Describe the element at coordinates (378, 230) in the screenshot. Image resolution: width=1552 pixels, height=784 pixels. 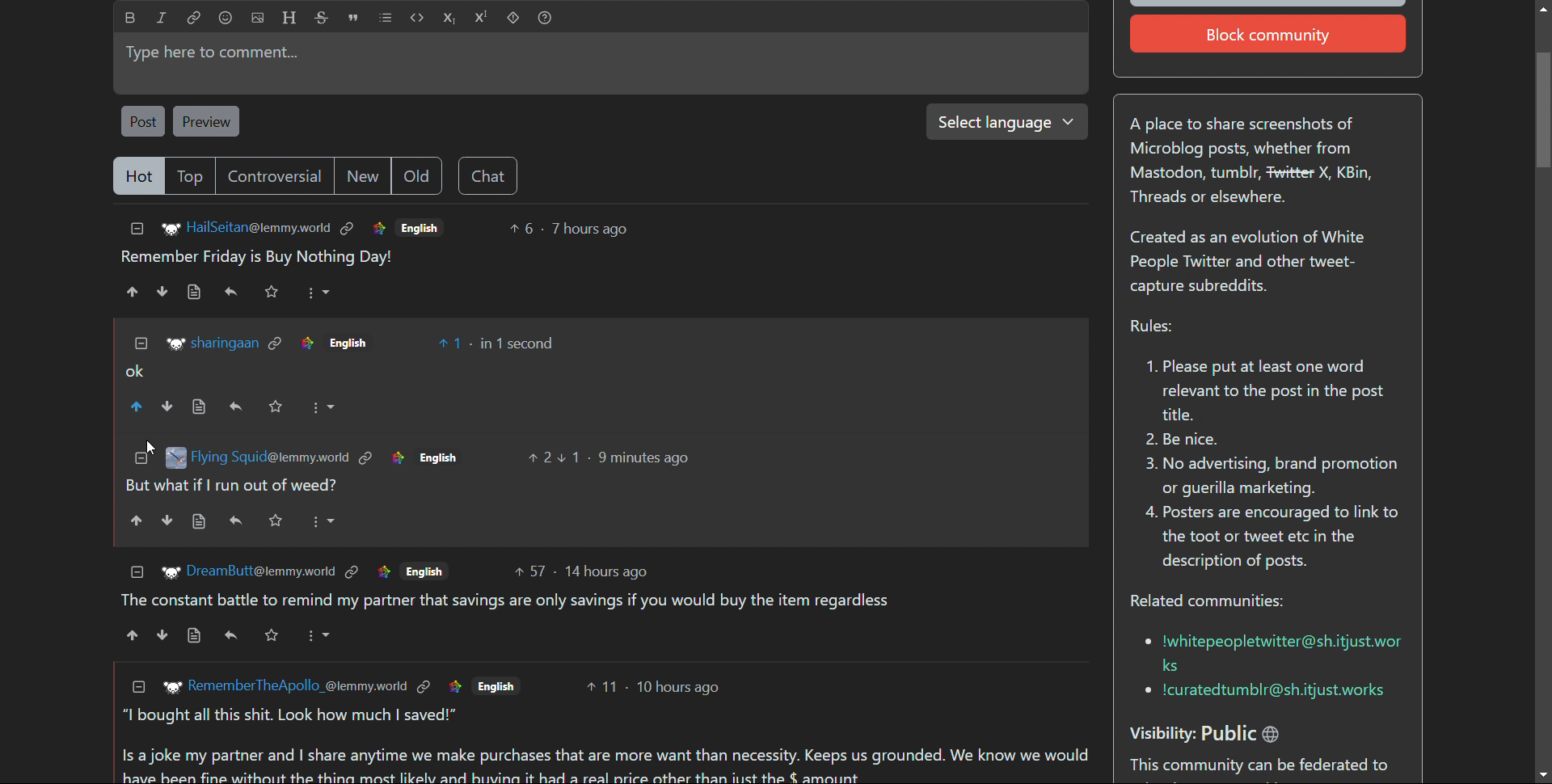
I see `link` at that location.